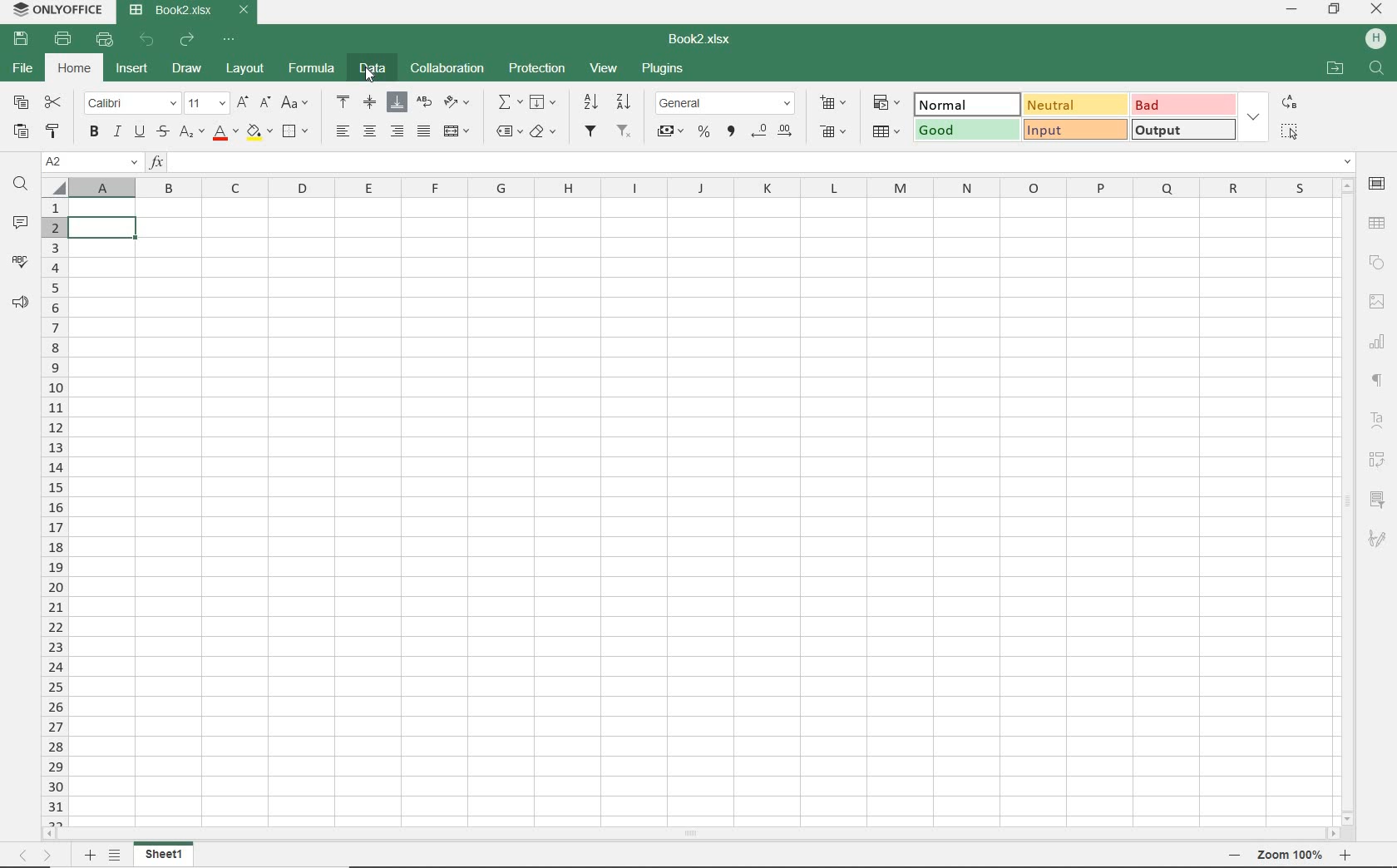  What do you see at coordinates (369, 133) in the screenshot?
I see `ALIGN CENTER` at bounding box center [369, 133].